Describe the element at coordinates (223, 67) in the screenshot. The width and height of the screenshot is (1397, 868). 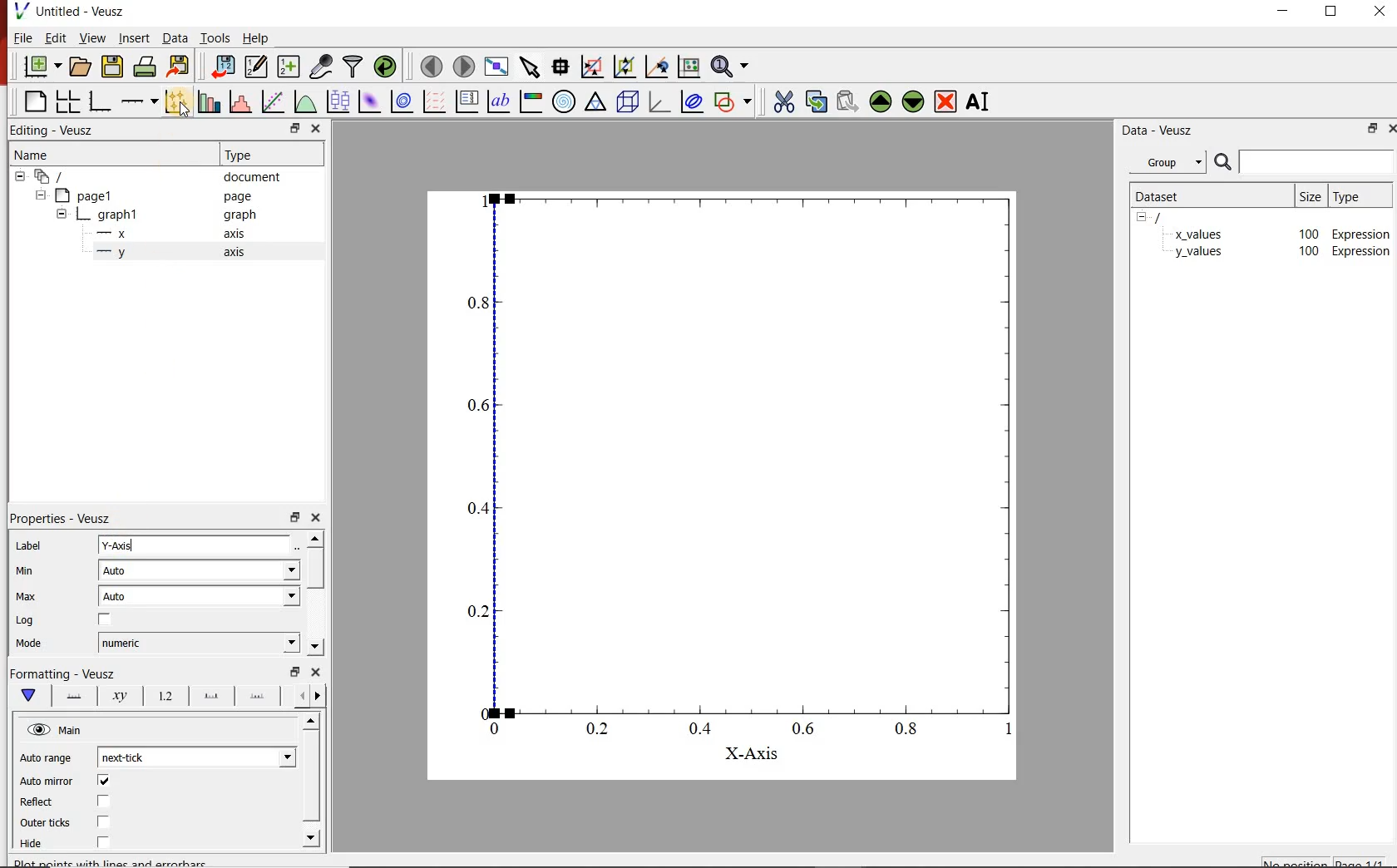
I see `import data into veusz` at that location.